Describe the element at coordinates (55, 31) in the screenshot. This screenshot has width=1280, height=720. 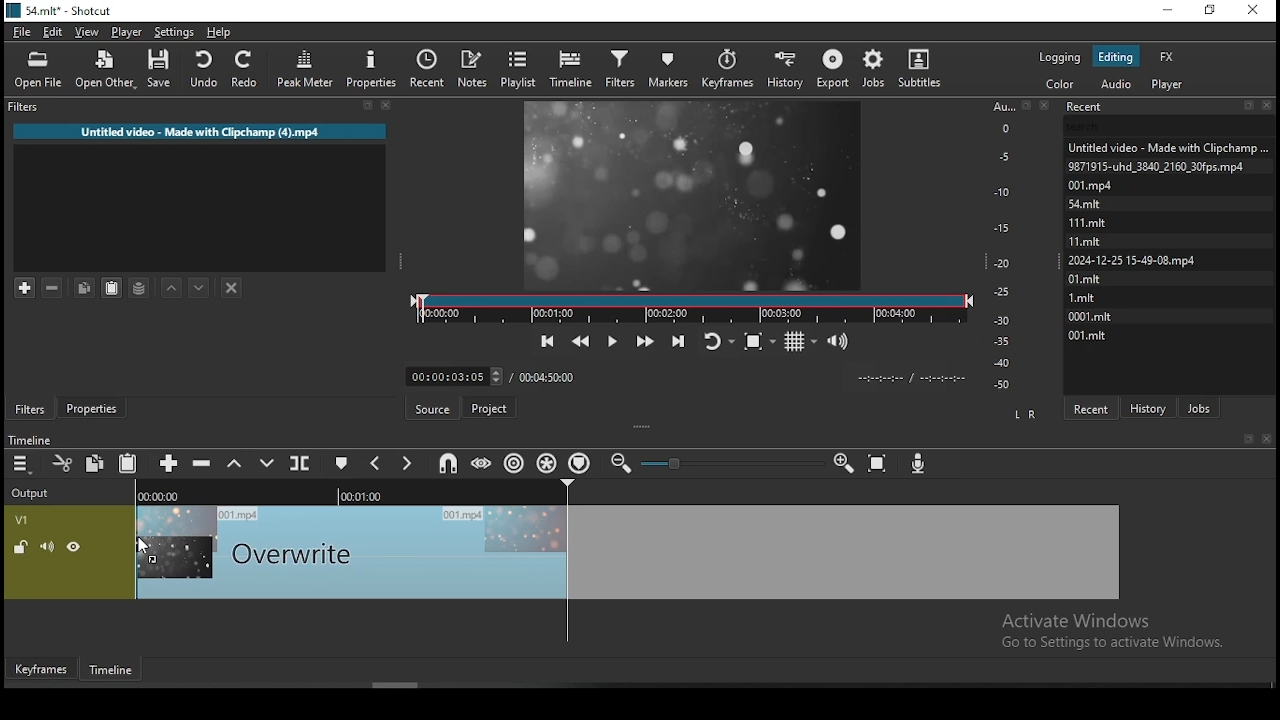
I see `edit` at that location.